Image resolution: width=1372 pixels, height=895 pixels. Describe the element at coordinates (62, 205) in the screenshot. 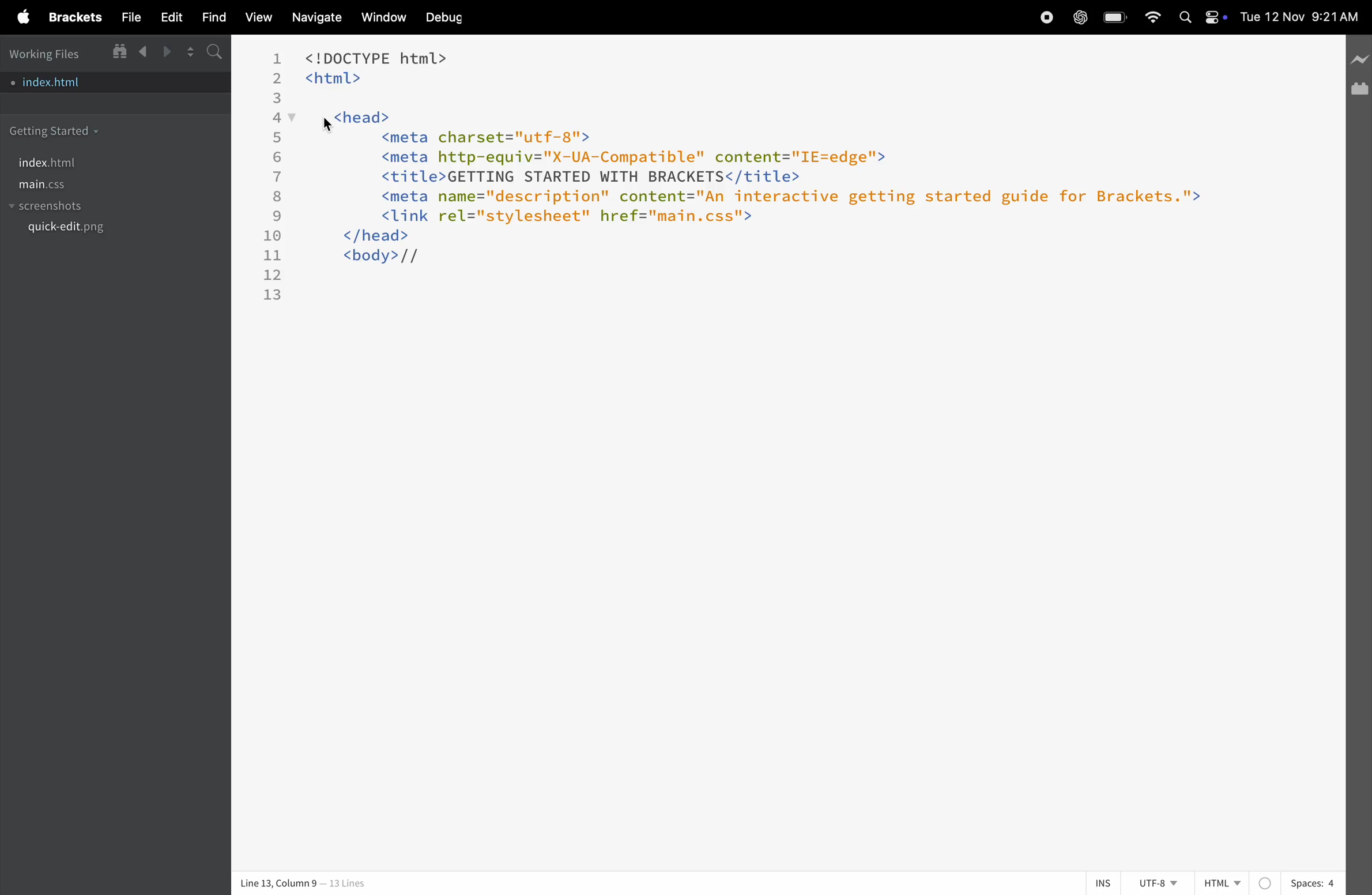

I see `screenshots` at that location.